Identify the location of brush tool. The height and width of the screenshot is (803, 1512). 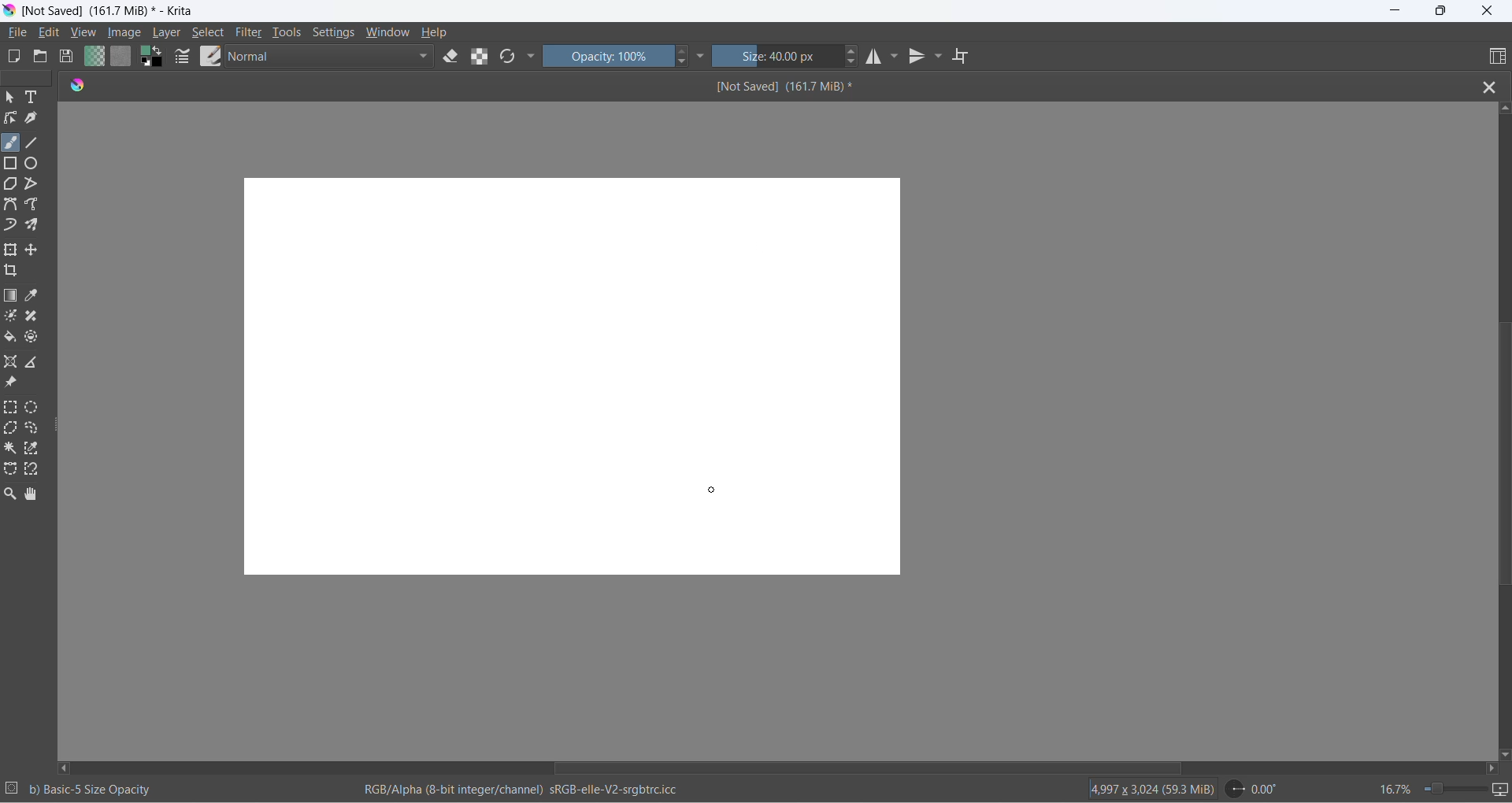
(12, 142).